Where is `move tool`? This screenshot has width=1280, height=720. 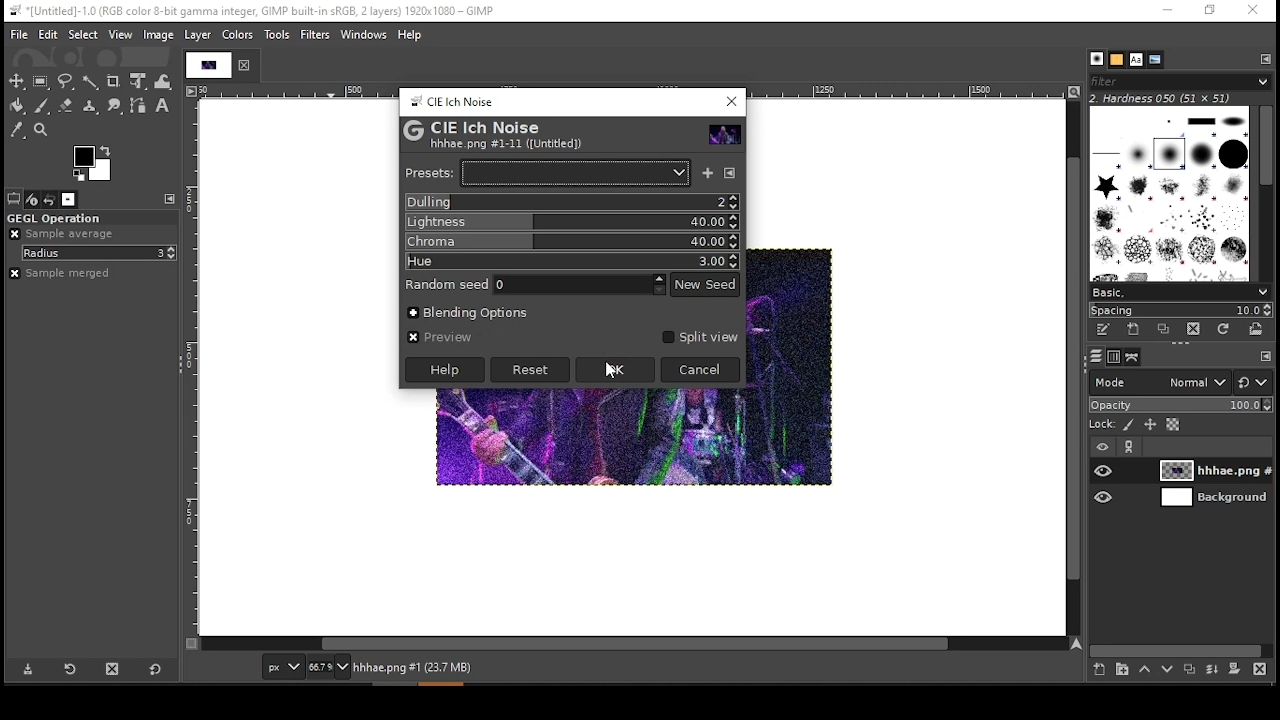 move tool is located at coordinates (17, 81).